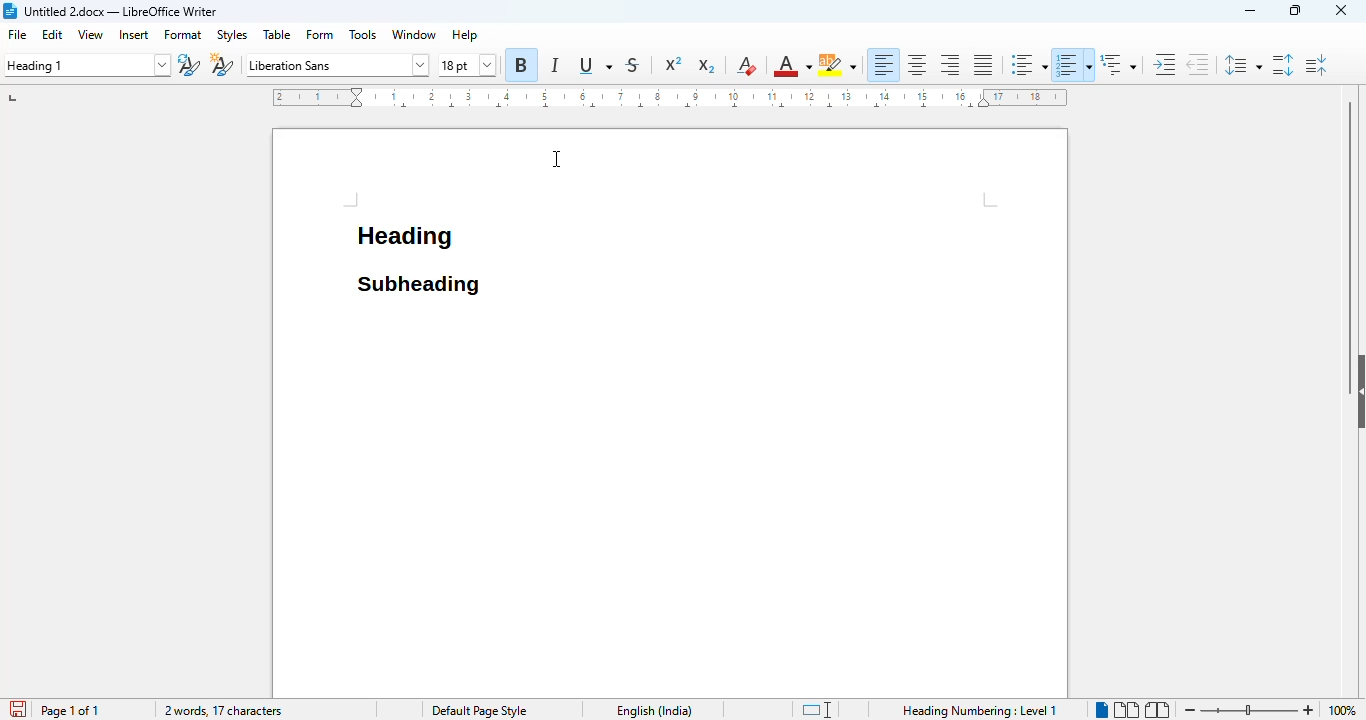 The width and height of the screenshot is (1366, 720). I want to click on zoom, so click(1250, 707).